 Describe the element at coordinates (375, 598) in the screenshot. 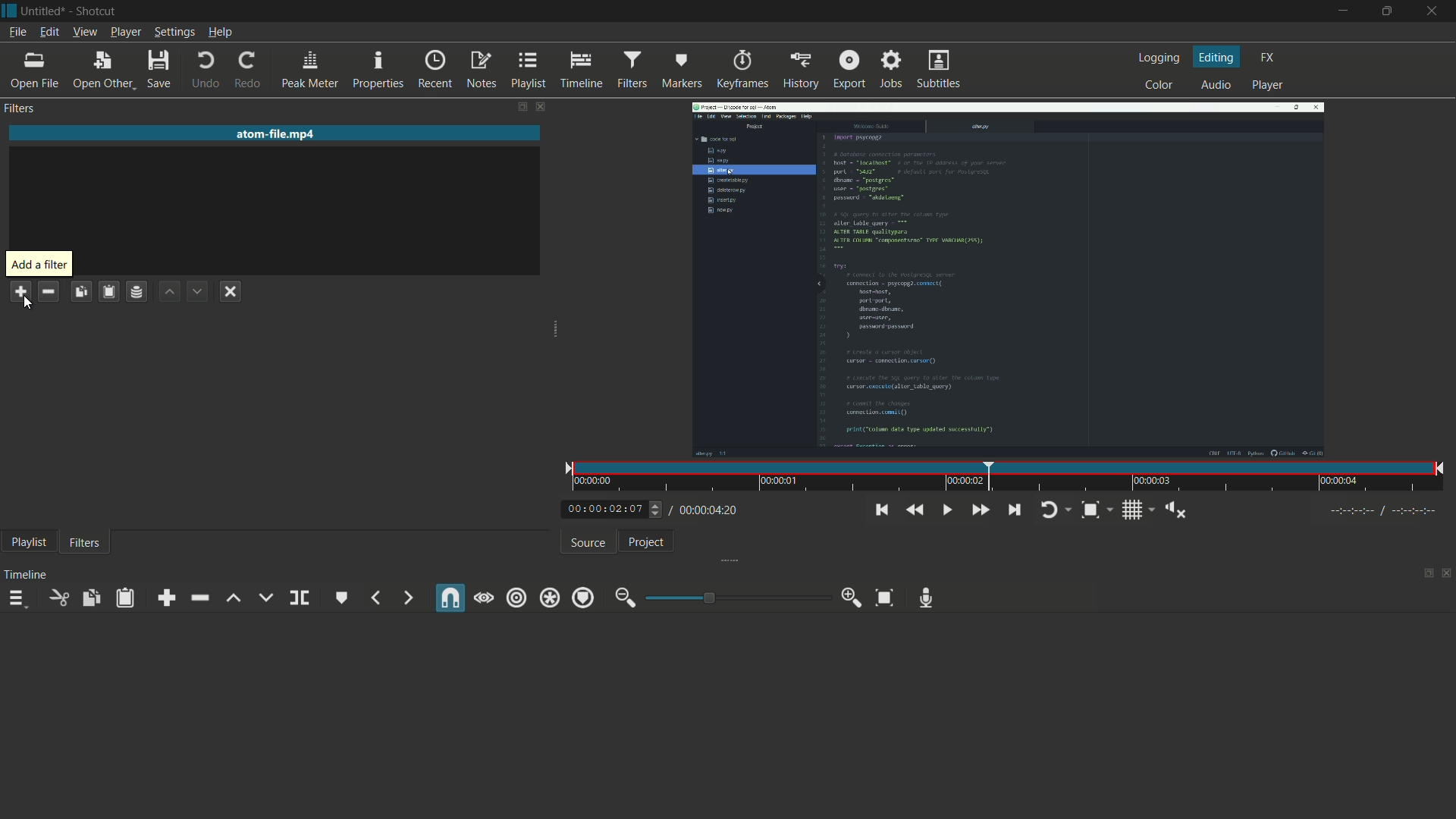

I see `previous marker` at that location.